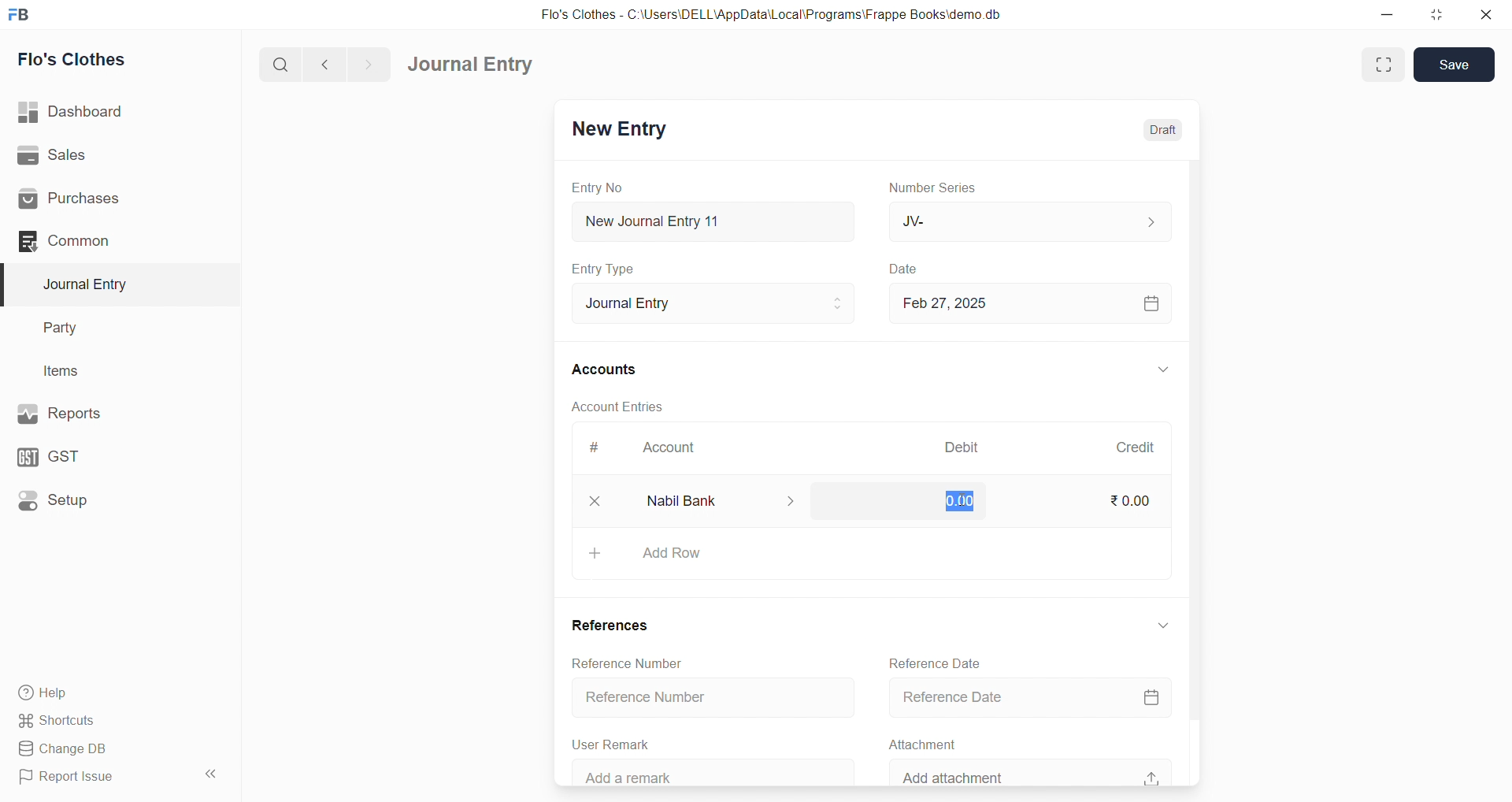  Describe the element at coordinates (1162, 369) in the screenshot. I see `EXPAND/COLLAPSE` at that location.